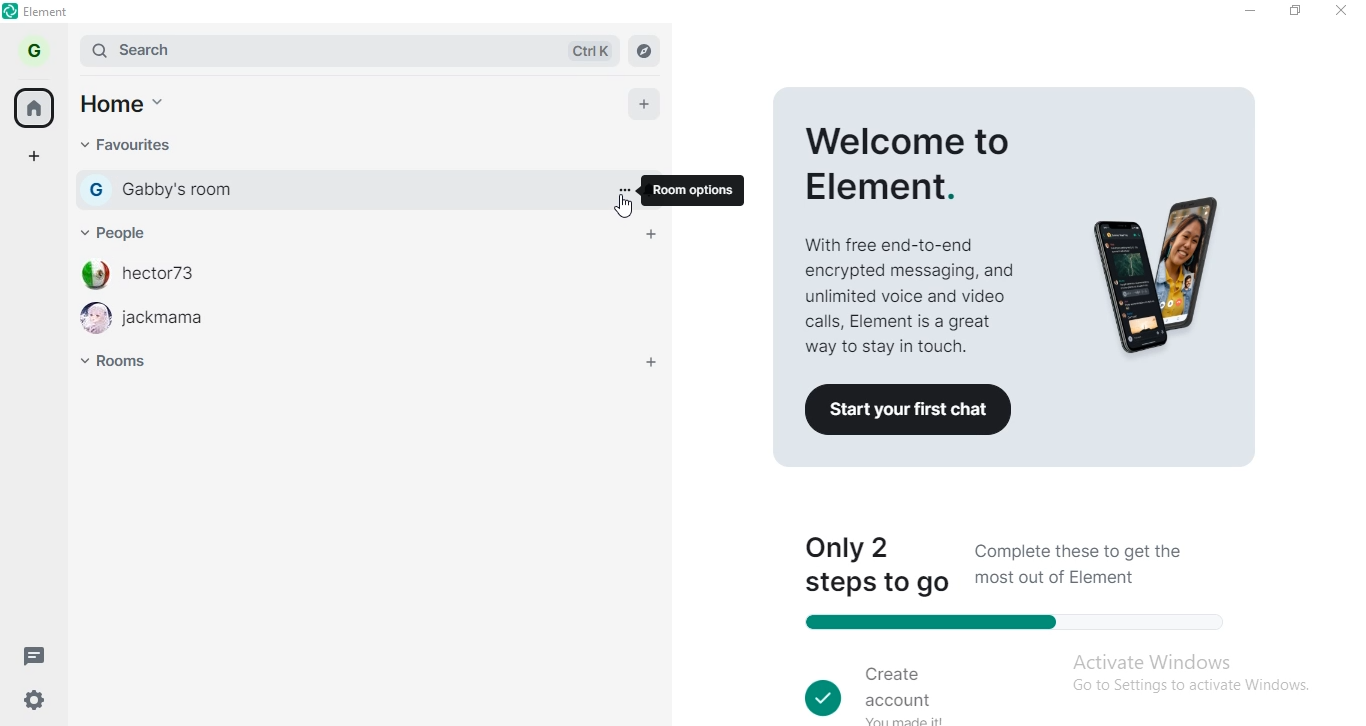  I want to click on Complete these to get the
most out of Element, so click(1094, 563).